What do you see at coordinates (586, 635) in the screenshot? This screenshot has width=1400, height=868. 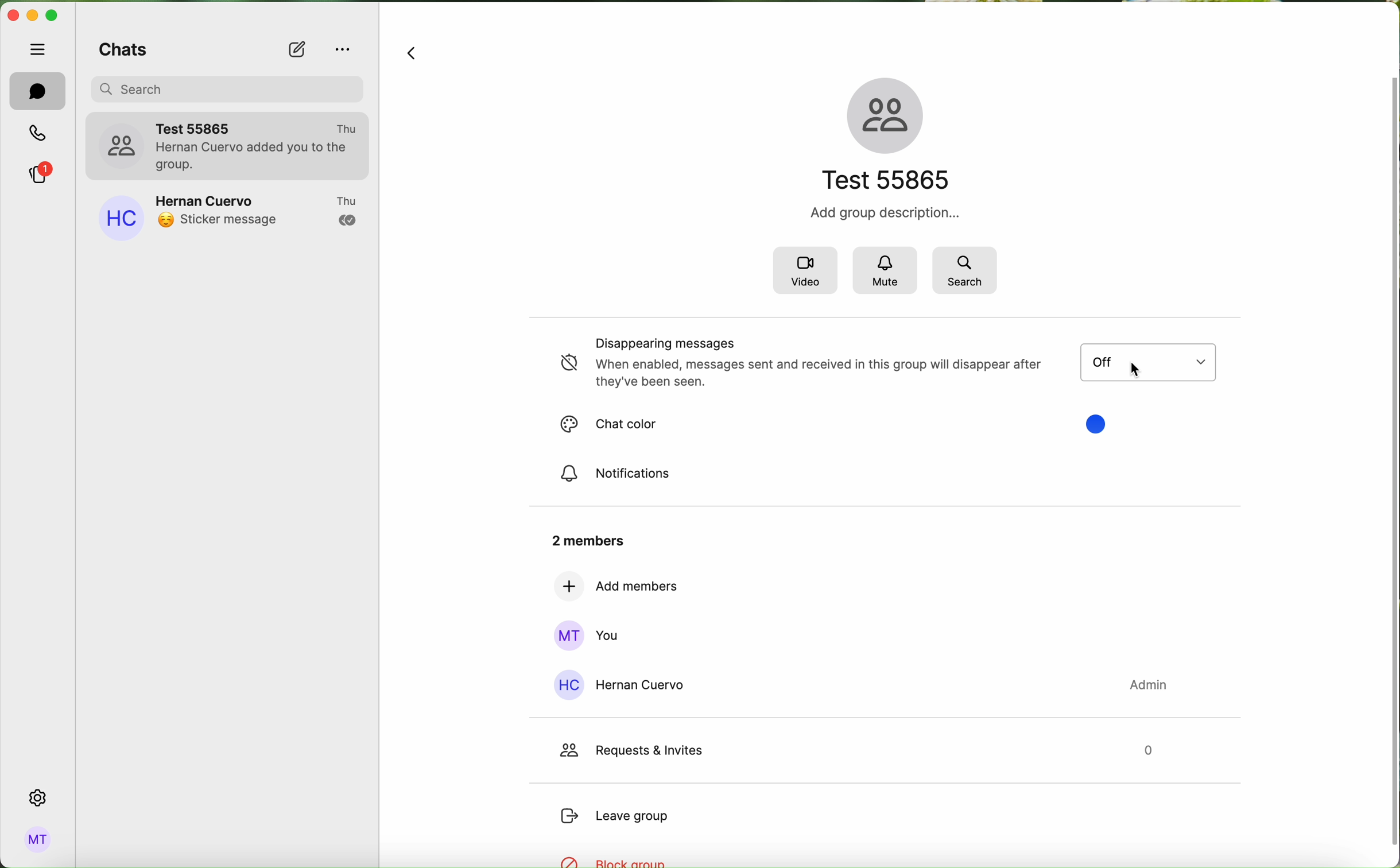 I see `you` at bounding box center [586, 635].